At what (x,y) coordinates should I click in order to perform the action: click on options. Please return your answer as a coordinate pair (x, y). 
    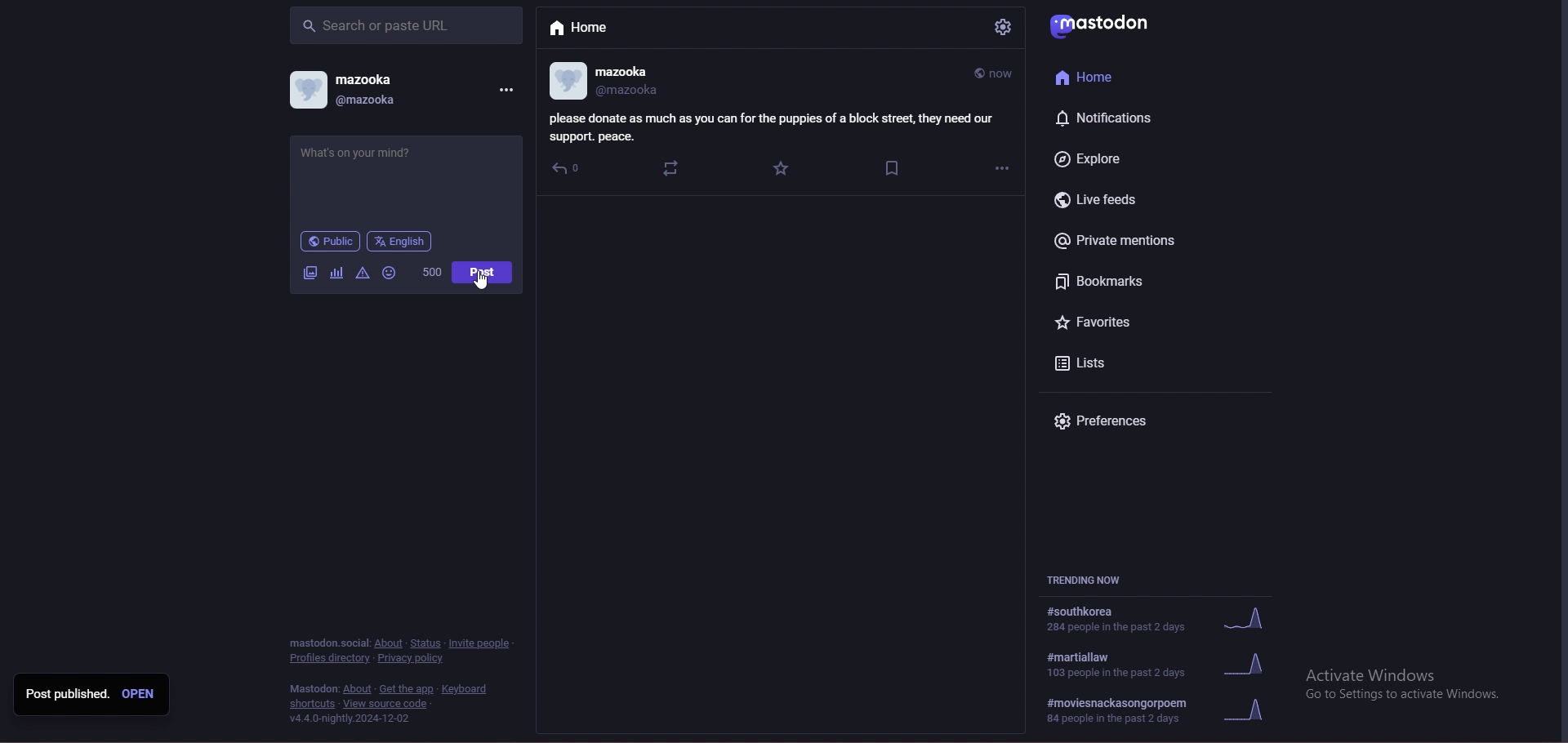
    Looking at the image, I should click on (510, 89).